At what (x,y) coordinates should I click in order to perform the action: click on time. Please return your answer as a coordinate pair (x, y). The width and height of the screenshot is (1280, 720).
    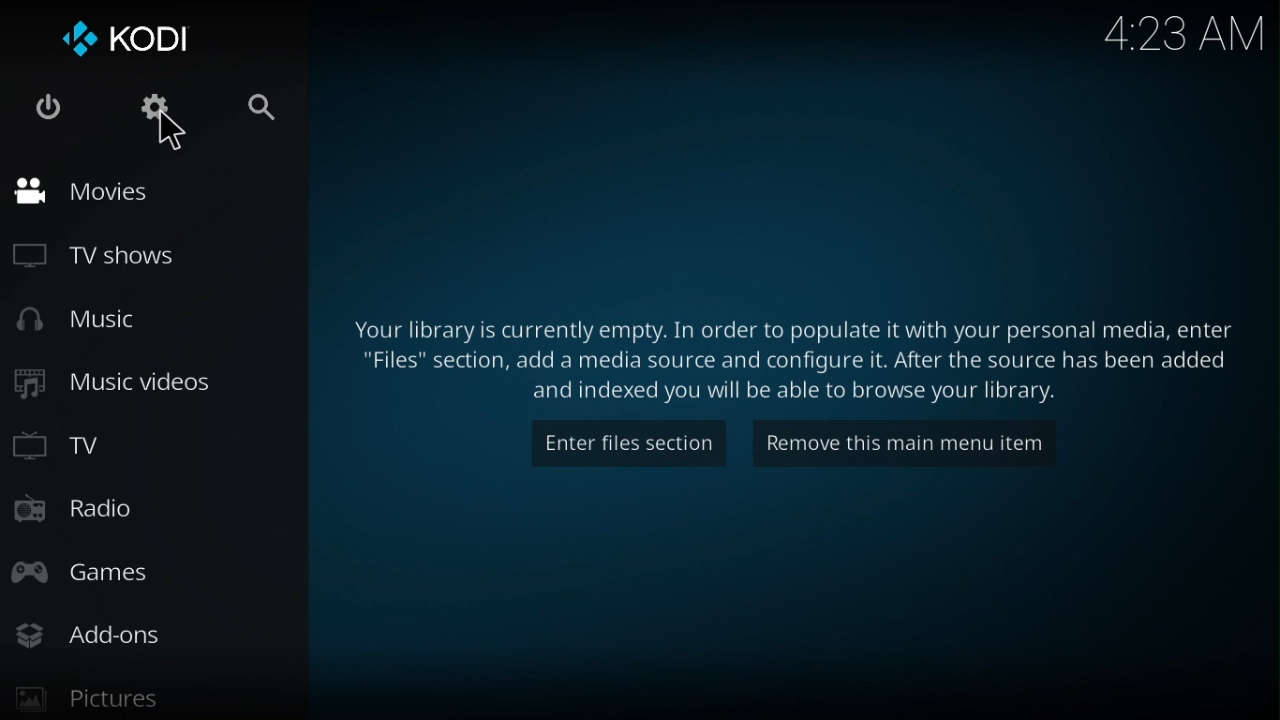
    Looking at the image, I should click on (1184, 32).